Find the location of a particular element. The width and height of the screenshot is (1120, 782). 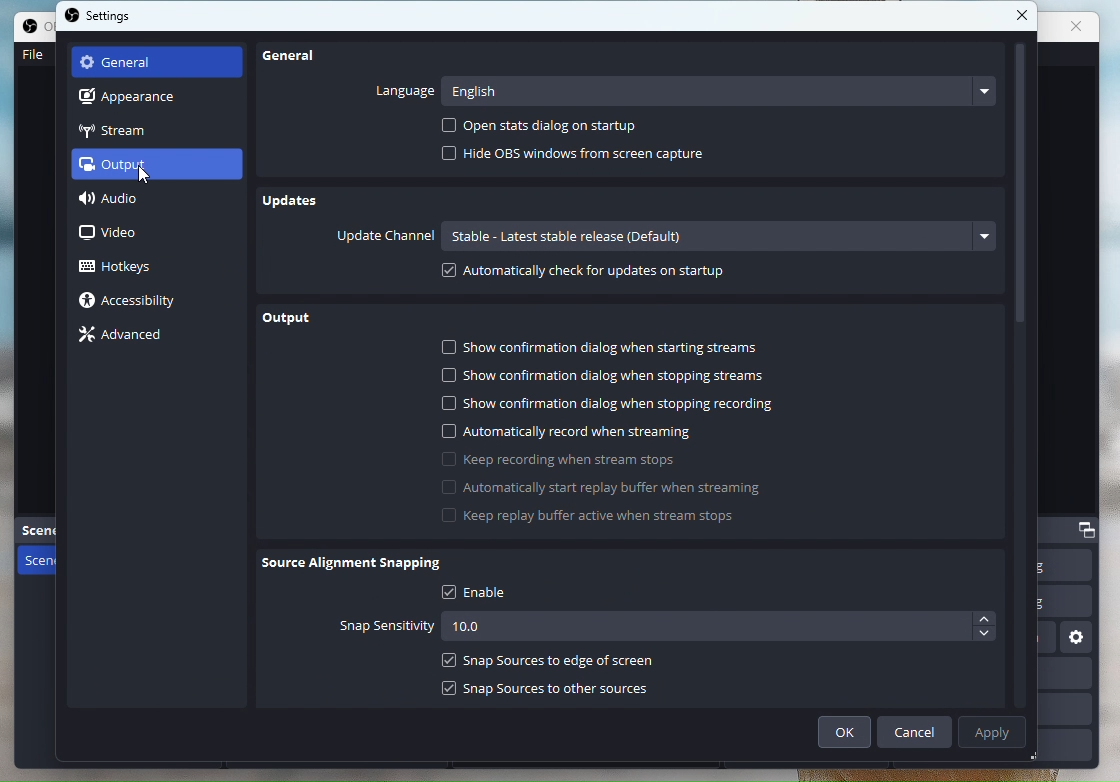

Cancel is located at coordinates (915, 732).